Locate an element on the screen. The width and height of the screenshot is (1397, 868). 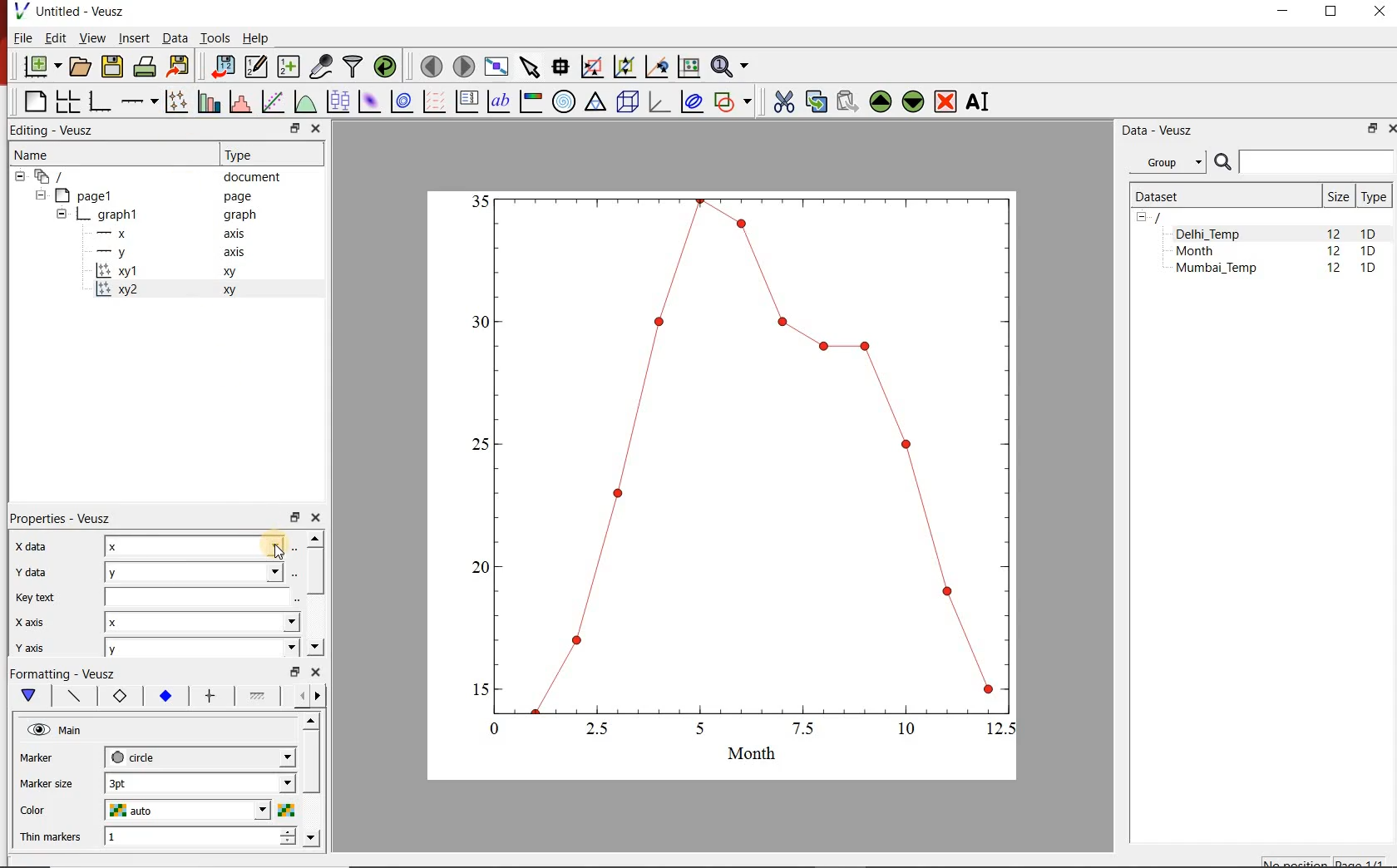
xy2 is located at coordinates (173, 291).